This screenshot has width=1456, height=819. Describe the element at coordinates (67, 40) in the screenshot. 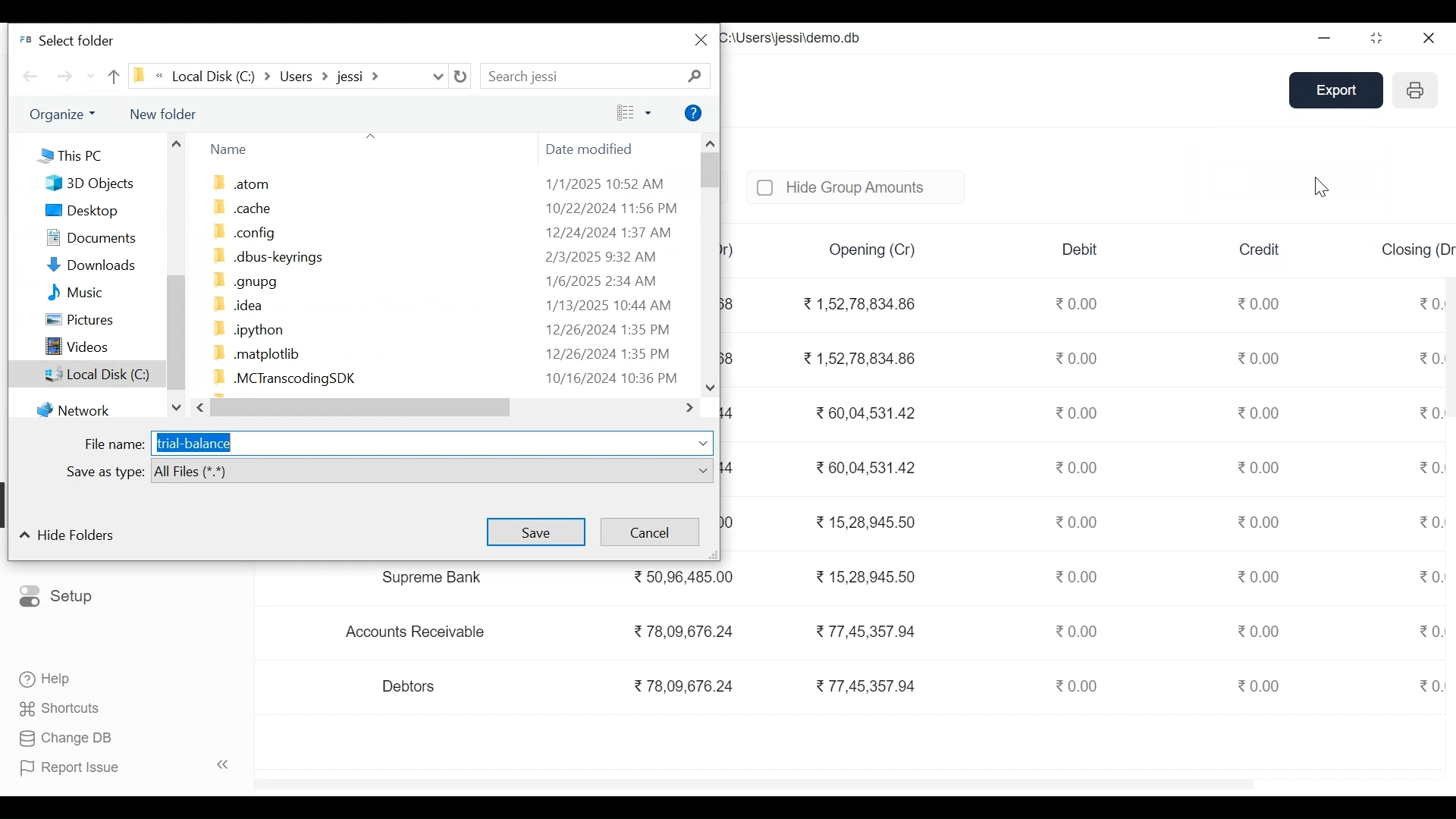

I see `Select folder` at that location.